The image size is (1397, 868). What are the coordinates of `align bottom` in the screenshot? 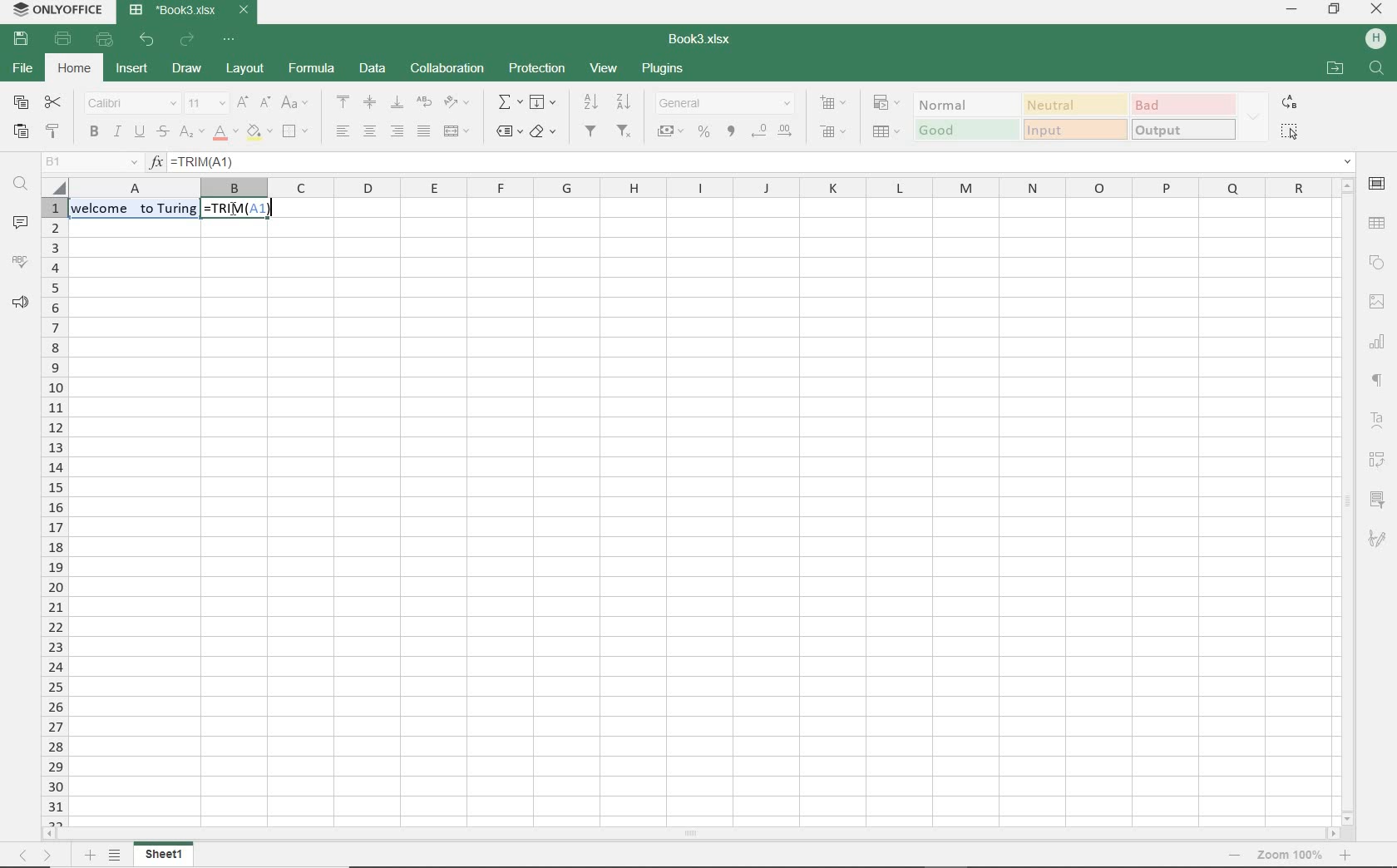 It's located at (396, 101).